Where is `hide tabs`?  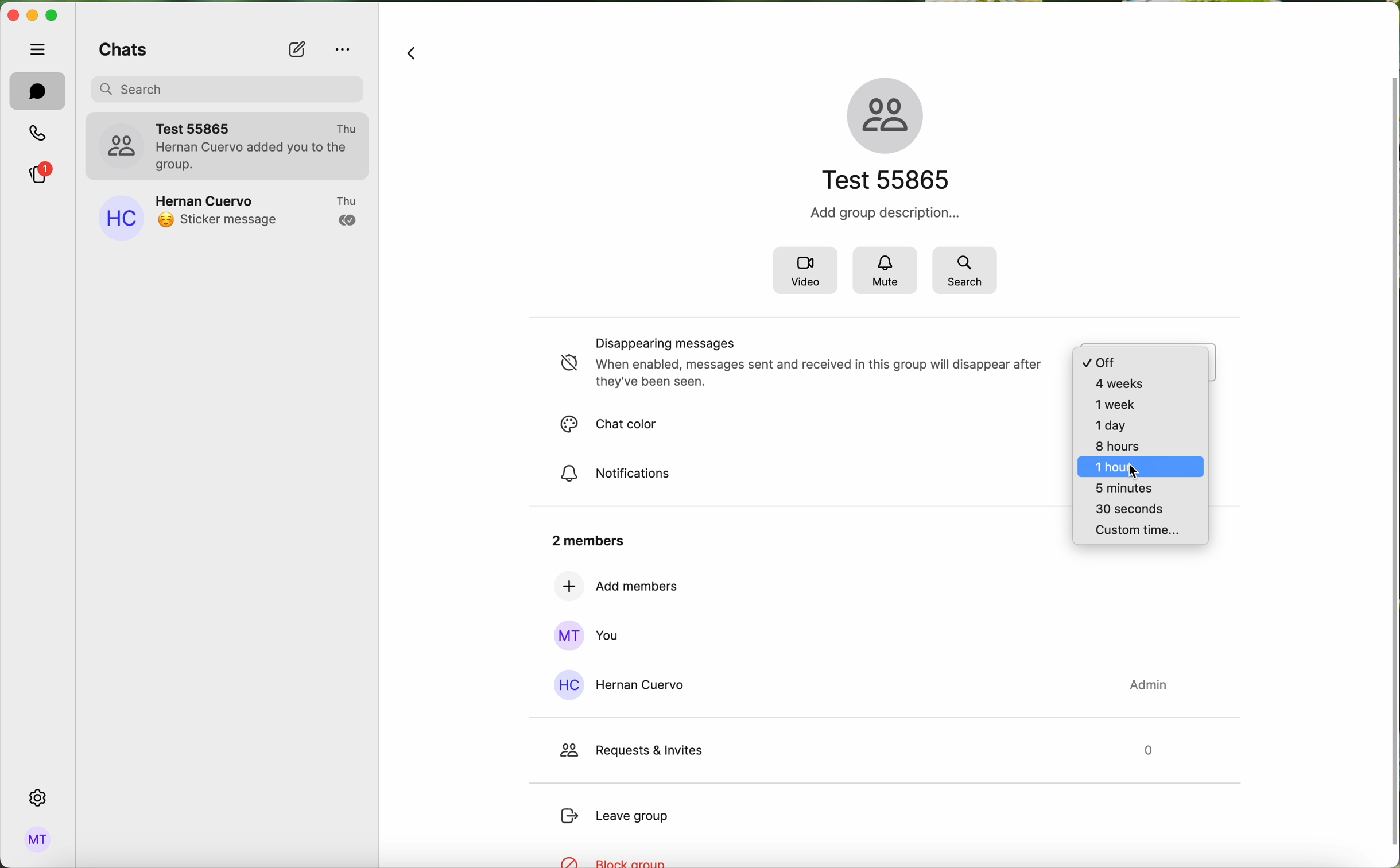 hide tabs is located at coordinates (36, 49).